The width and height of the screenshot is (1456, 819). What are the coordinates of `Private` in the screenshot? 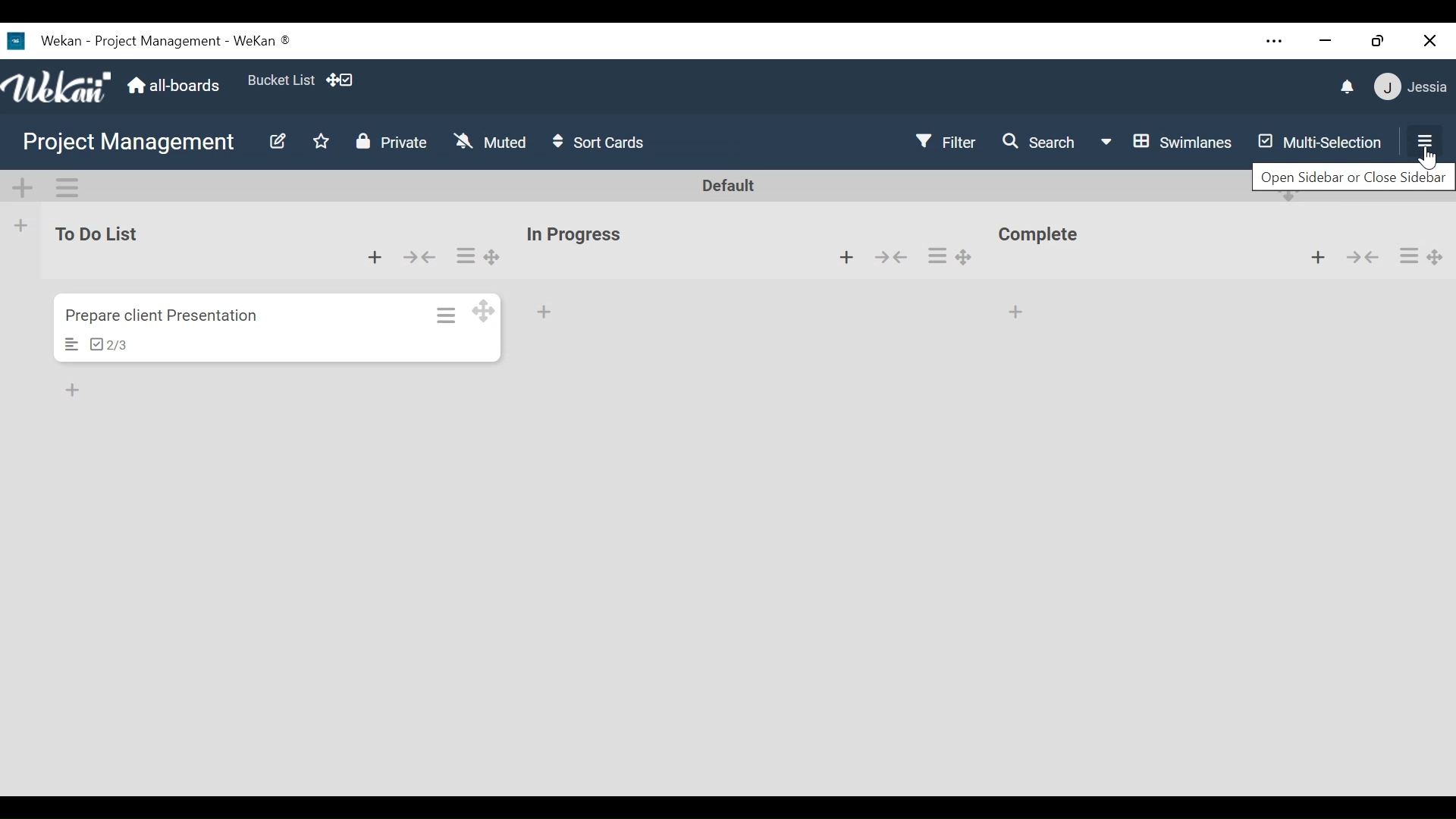 It's located at (391, 142).